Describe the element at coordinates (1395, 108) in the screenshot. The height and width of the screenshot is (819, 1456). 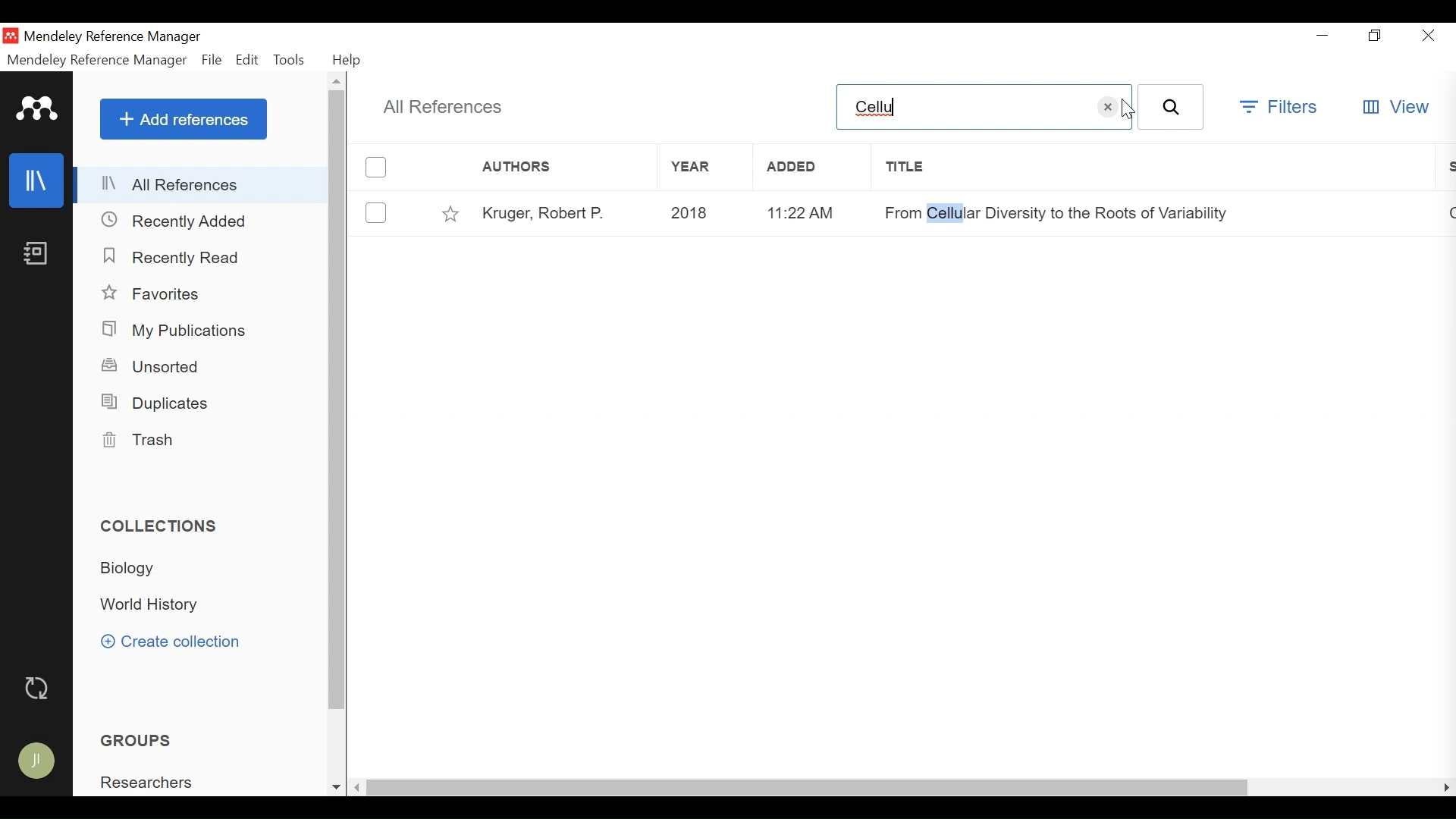
I see `View` at that location.